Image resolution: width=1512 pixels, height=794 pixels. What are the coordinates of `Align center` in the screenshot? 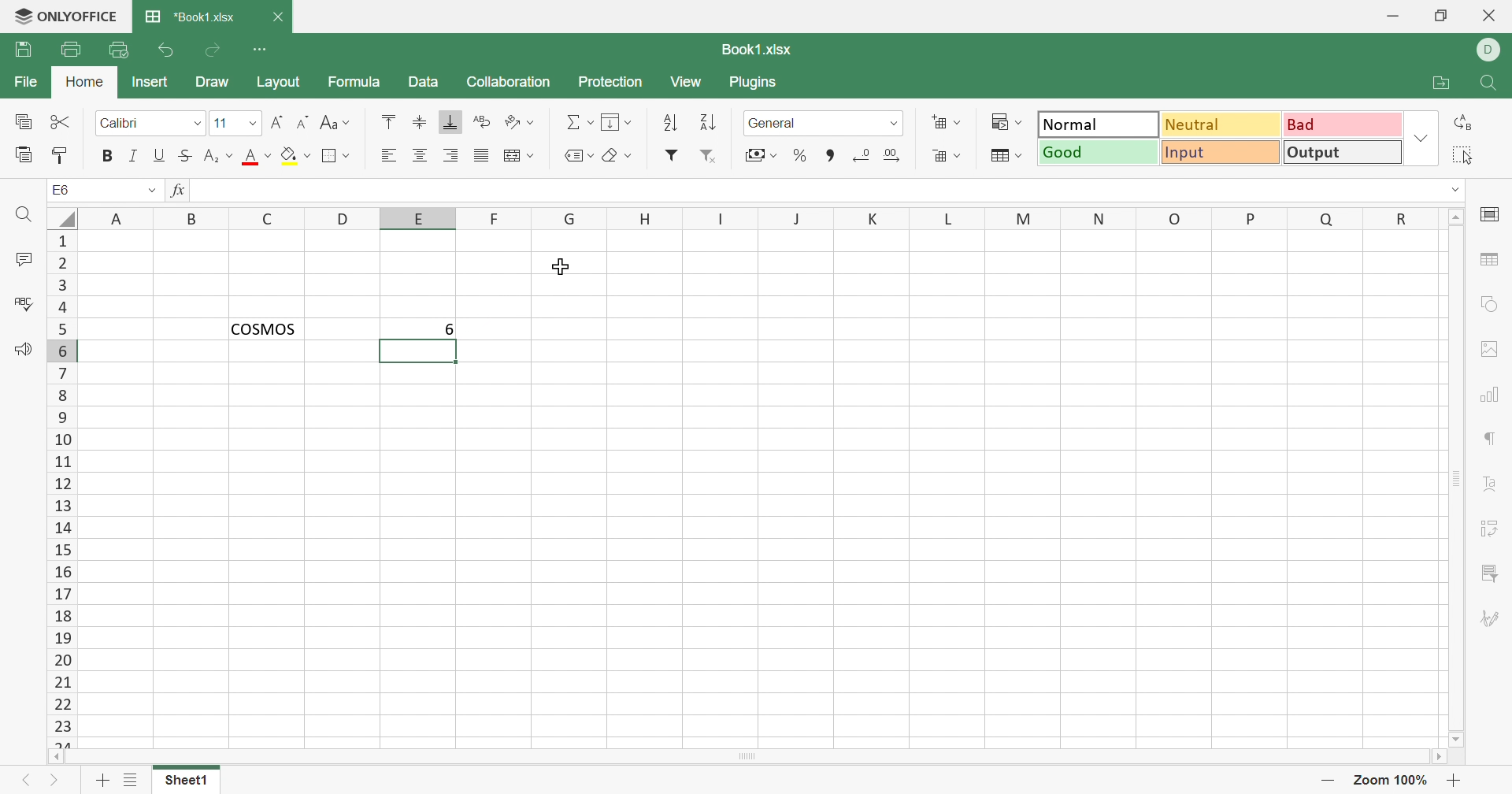 It's located at (420, 157).